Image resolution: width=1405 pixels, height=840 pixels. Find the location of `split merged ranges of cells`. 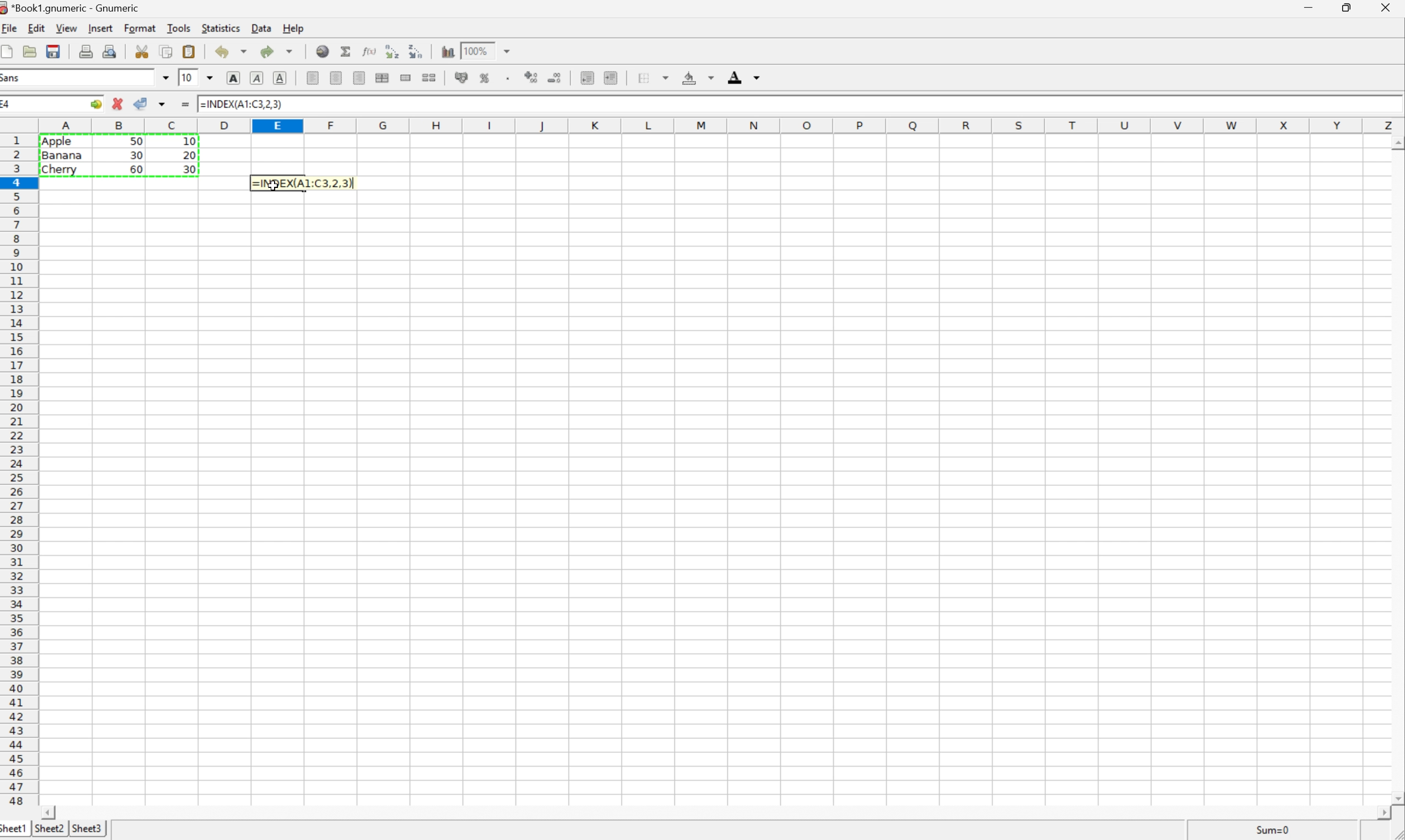

split merged ranges of cells is located at coordinates (430, 78).